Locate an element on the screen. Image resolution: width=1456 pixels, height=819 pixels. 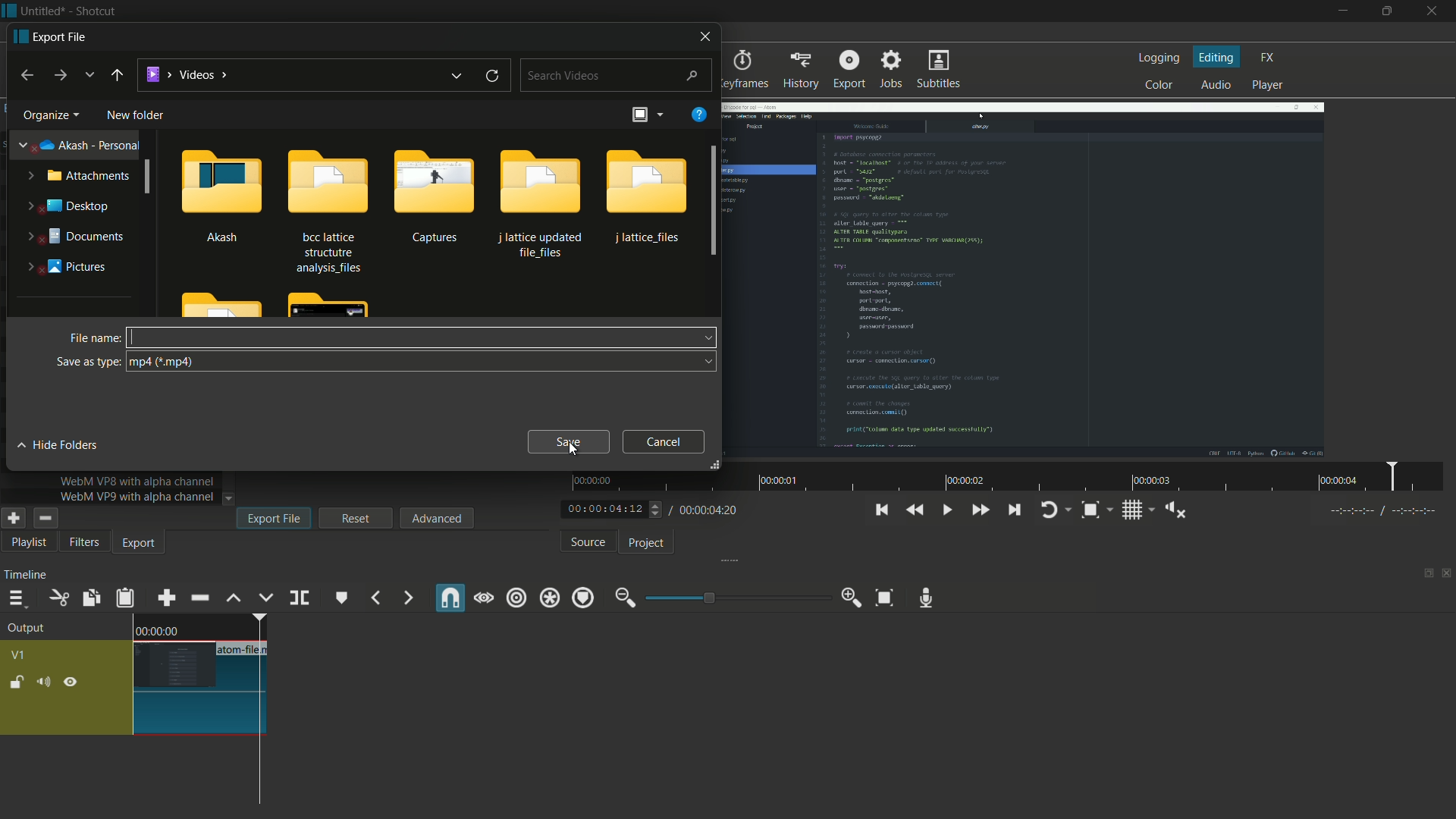
append is located at coordinates (166, 599).